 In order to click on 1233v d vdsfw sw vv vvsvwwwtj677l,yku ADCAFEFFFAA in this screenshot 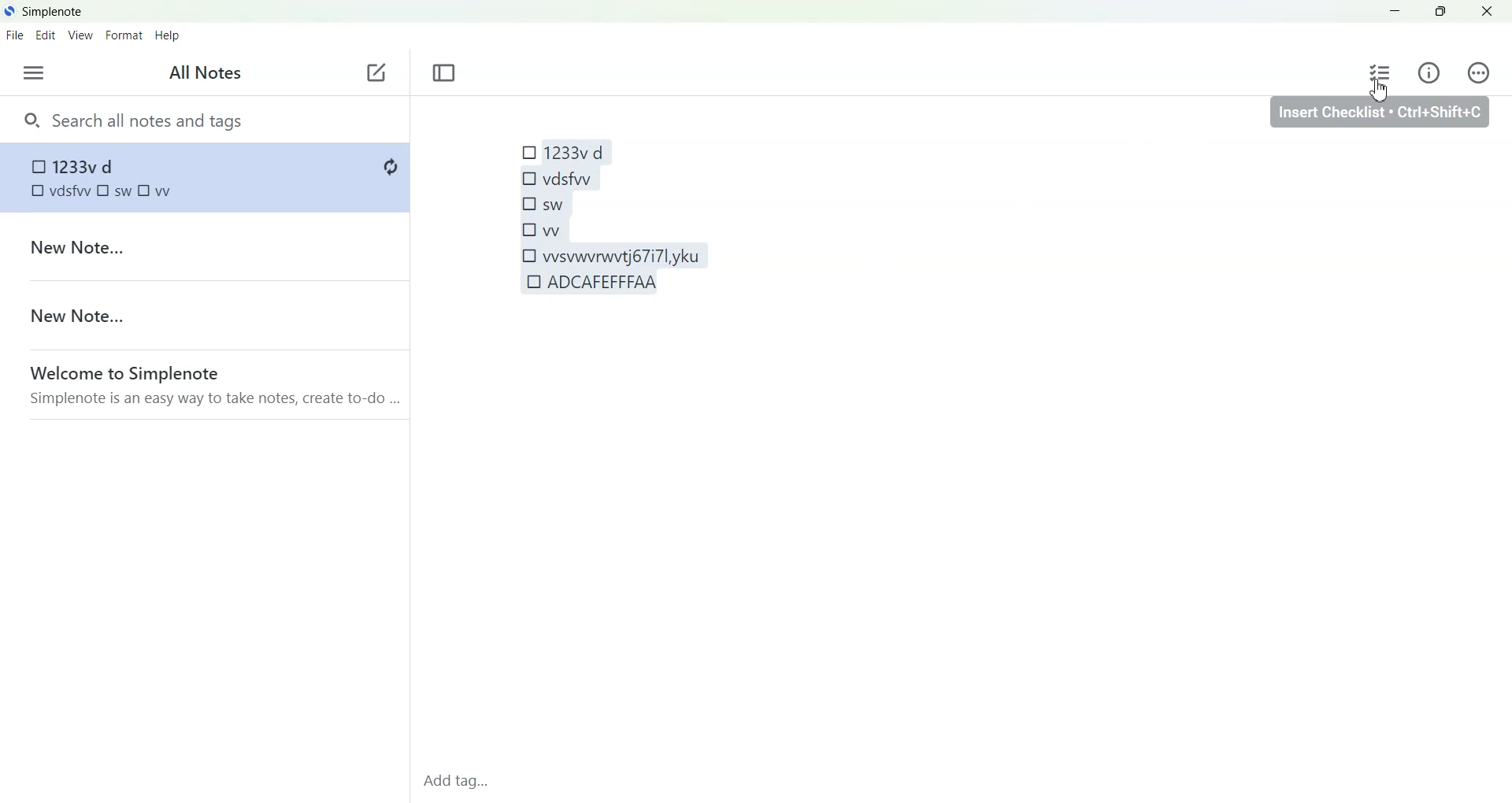, I will do `click(619, 225)`.